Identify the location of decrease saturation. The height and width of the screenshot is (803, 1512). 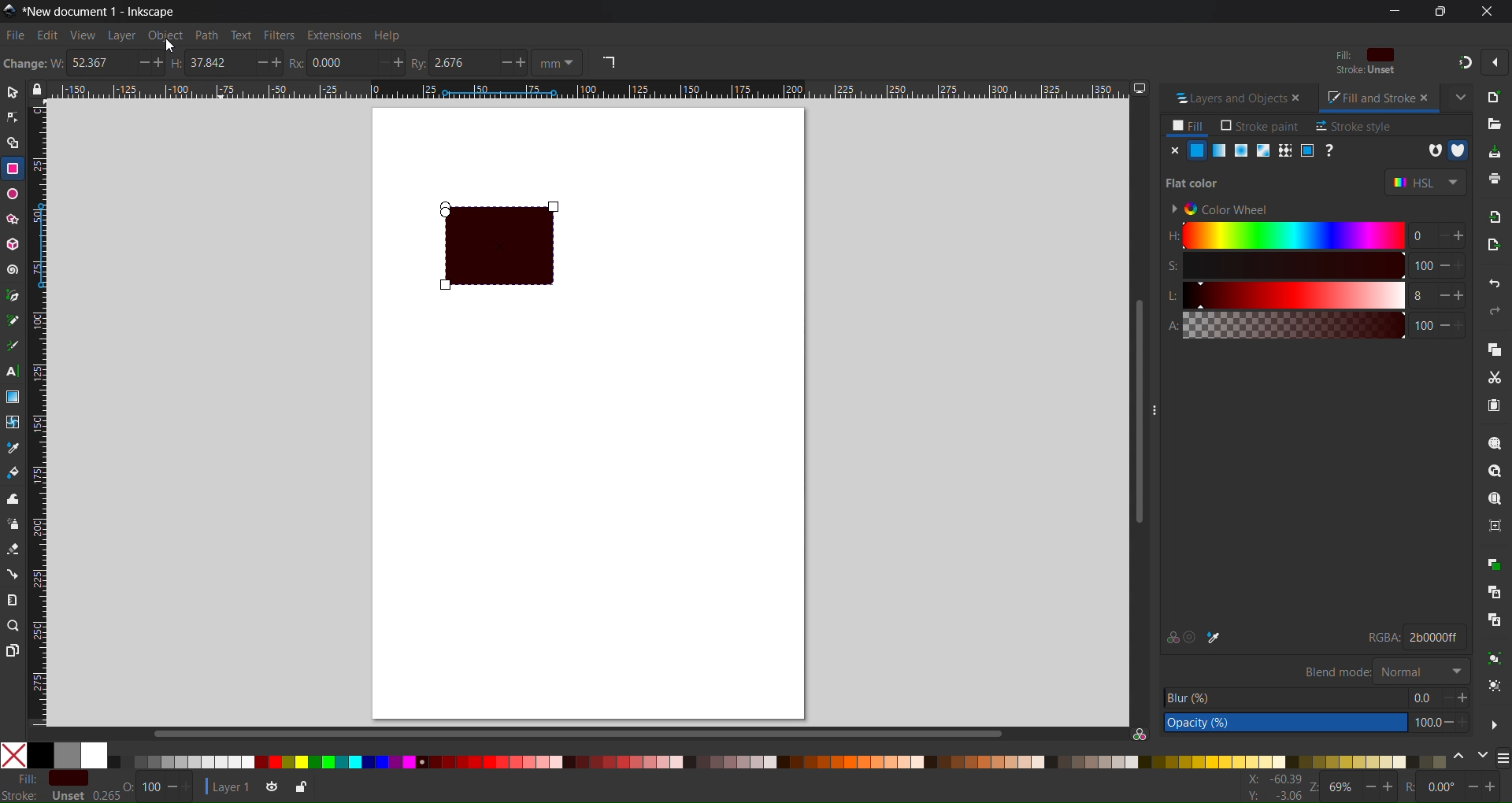
(1443, 265).